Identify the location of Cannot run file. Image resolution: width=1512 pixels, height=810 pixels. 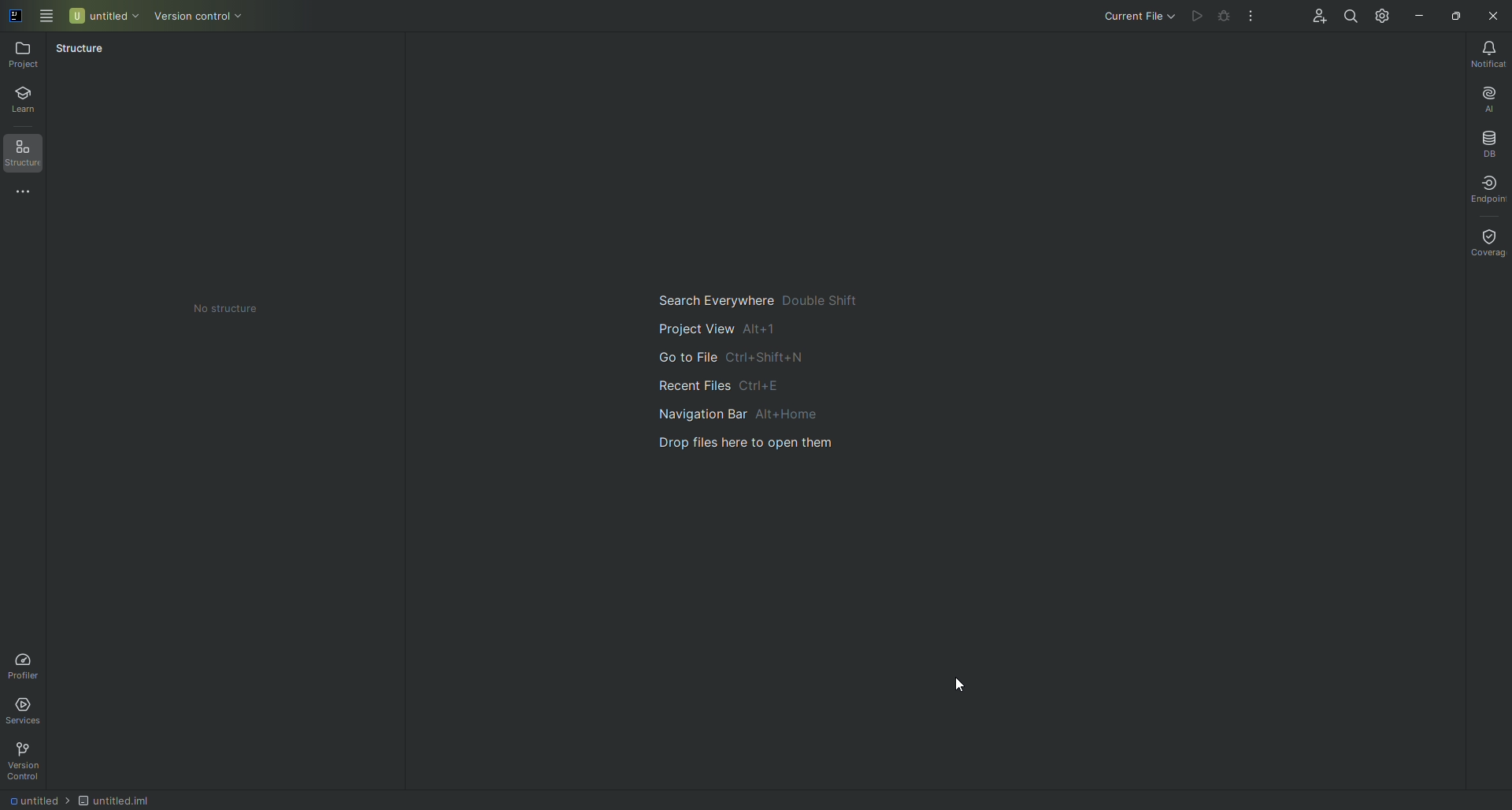
(1225, 15).